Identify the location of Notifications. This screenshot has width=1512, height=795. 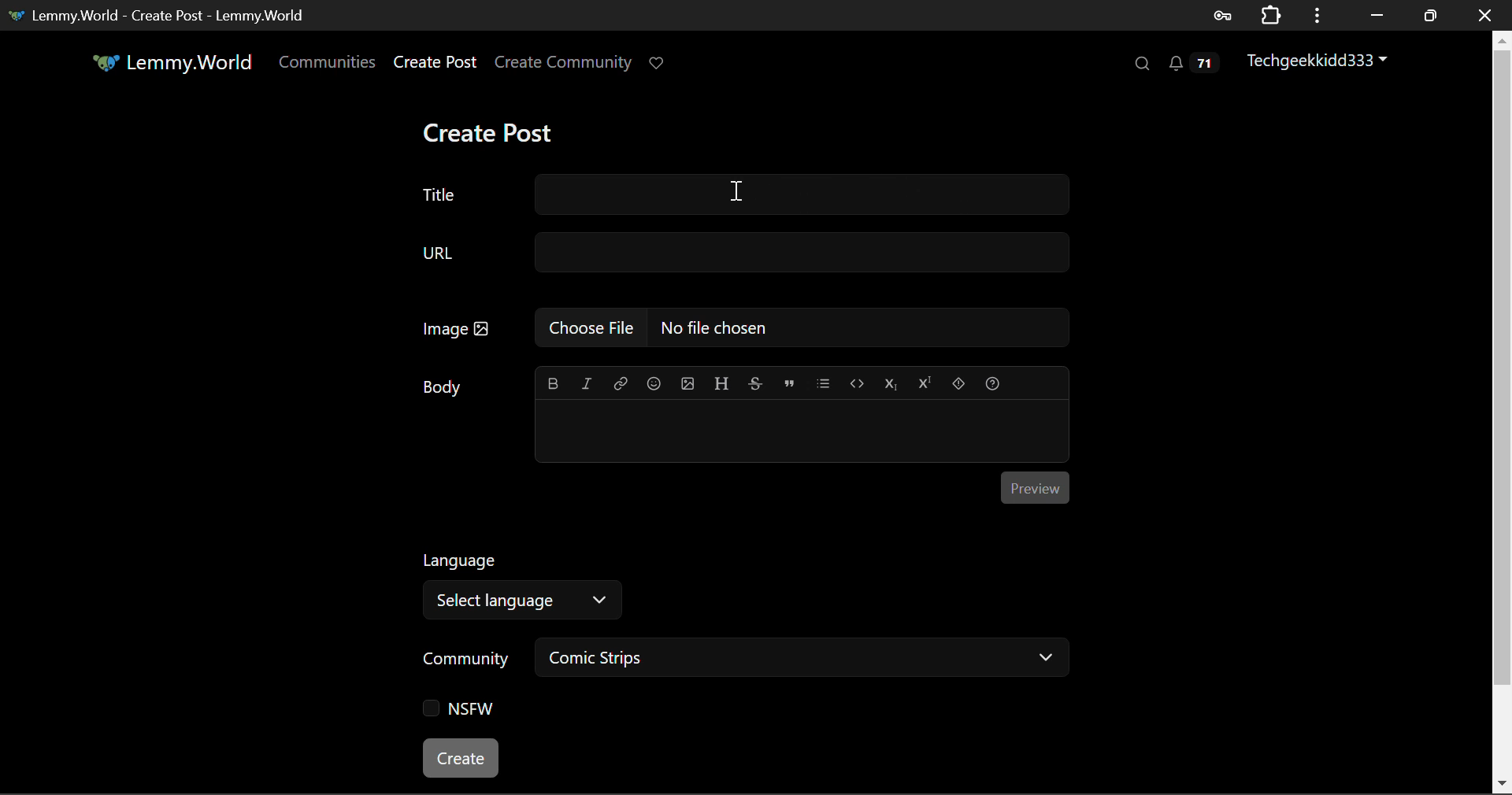
(1190, 63).